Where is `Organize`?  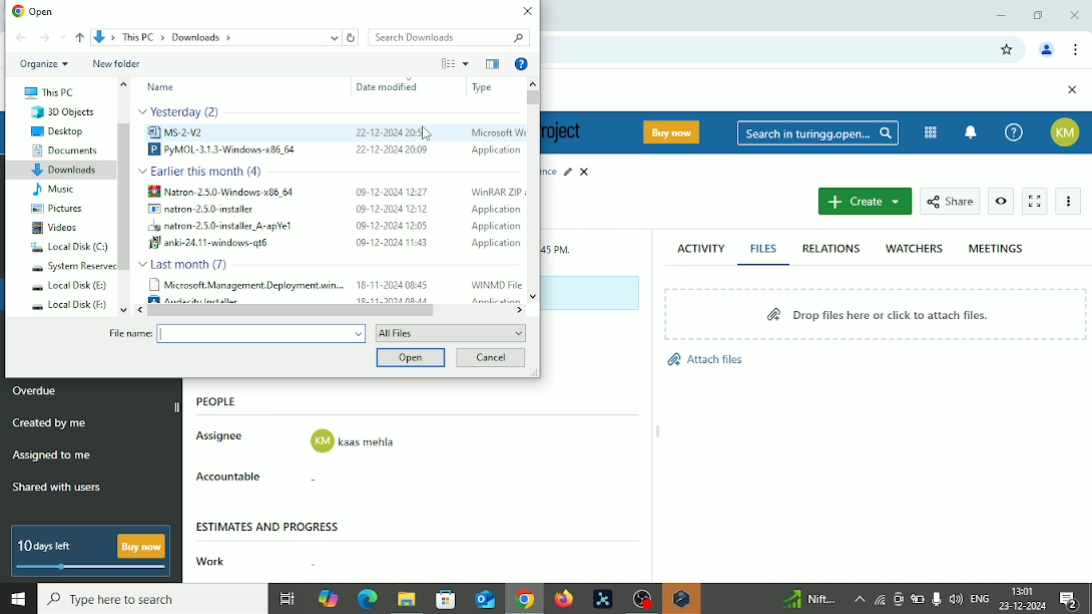
Organize is located at coordinates (44, 63).